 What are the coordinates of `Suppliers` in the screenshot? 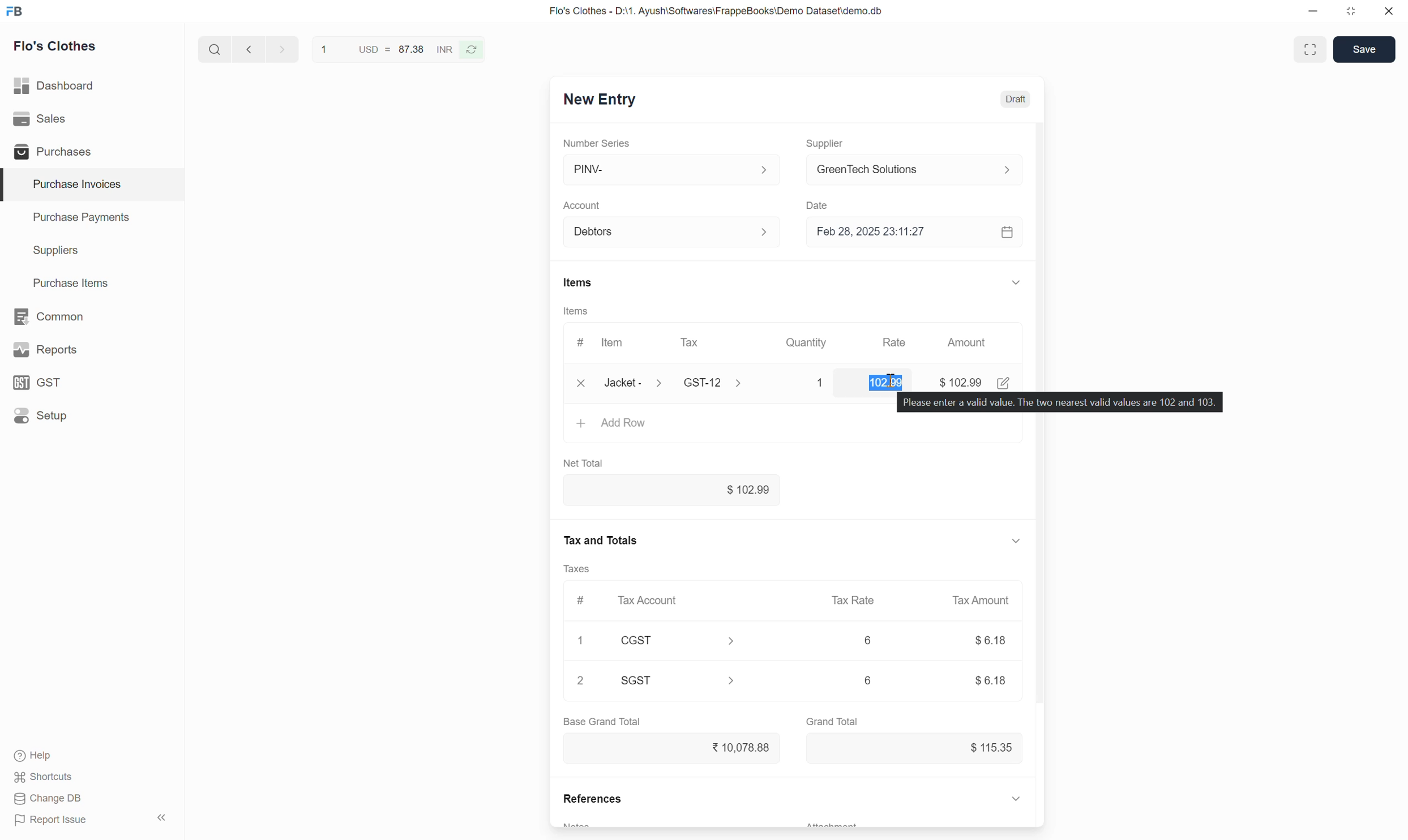 It's located at (92, 251).